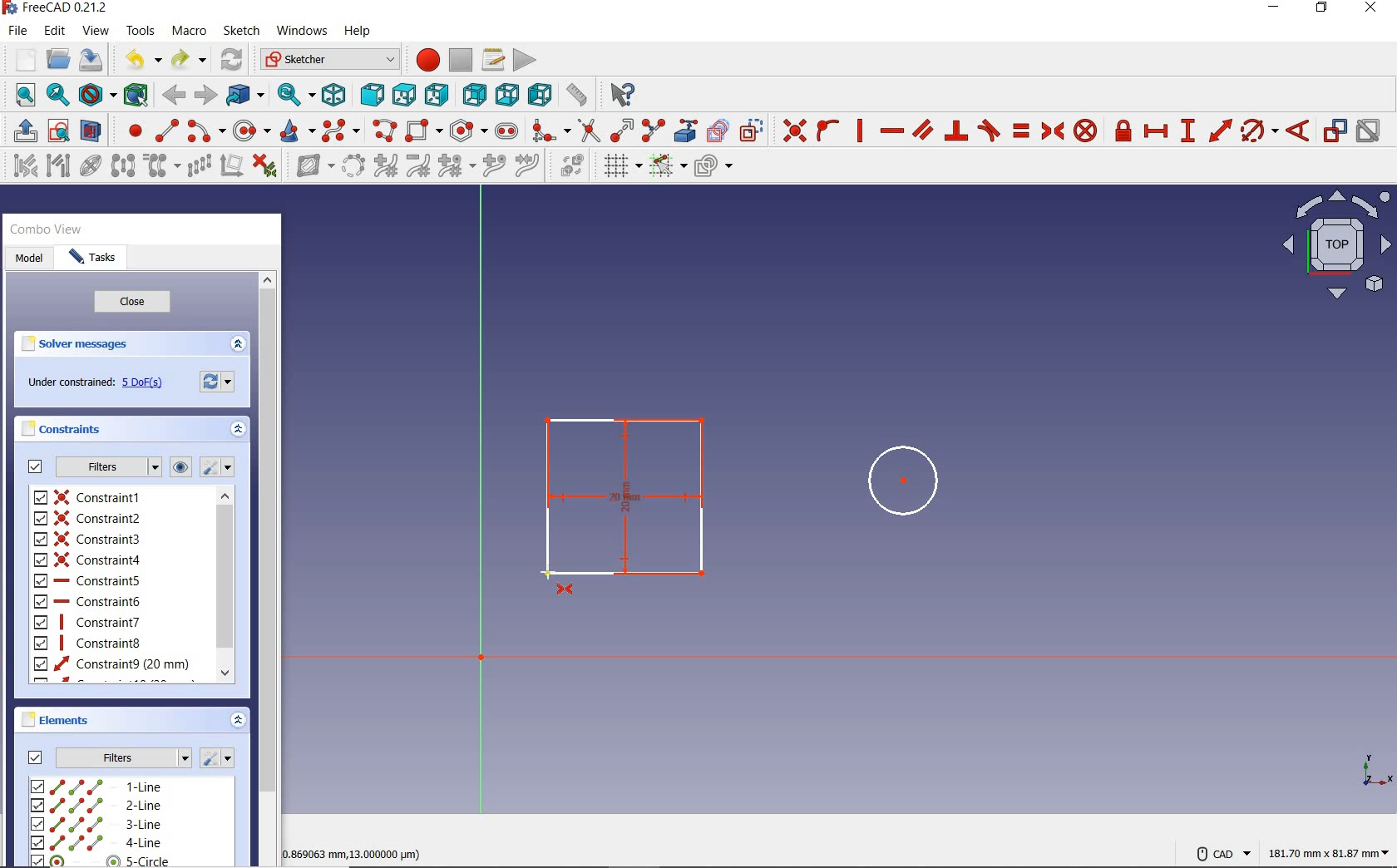 This screenshot has height=868, width=1397. I want to click on constrain block, so click(1087, 132).